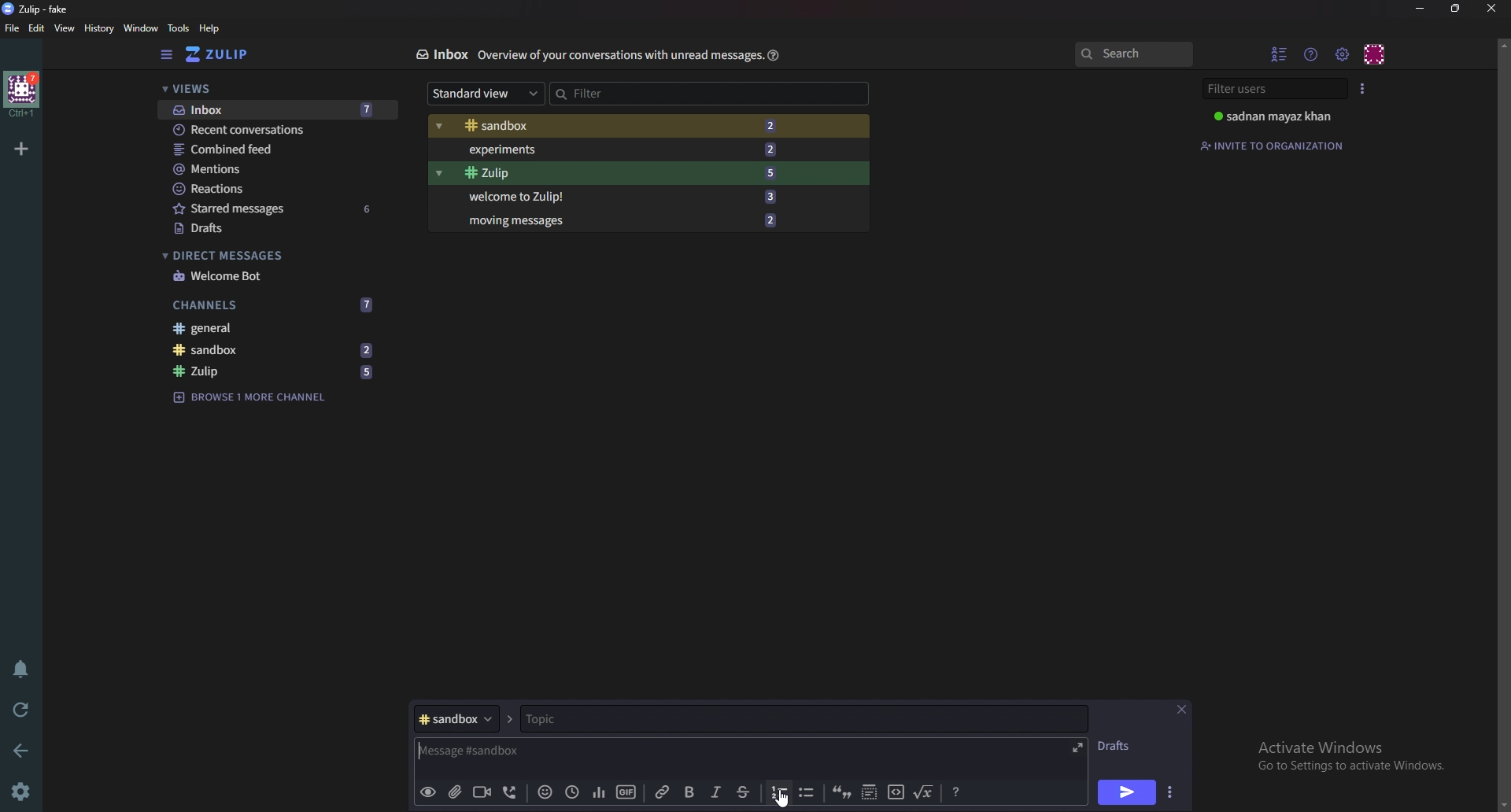 The image size is (1511, 812). Describe the element at coordinates (1169, 794) in the screenshot. I see `Send options` at that location.